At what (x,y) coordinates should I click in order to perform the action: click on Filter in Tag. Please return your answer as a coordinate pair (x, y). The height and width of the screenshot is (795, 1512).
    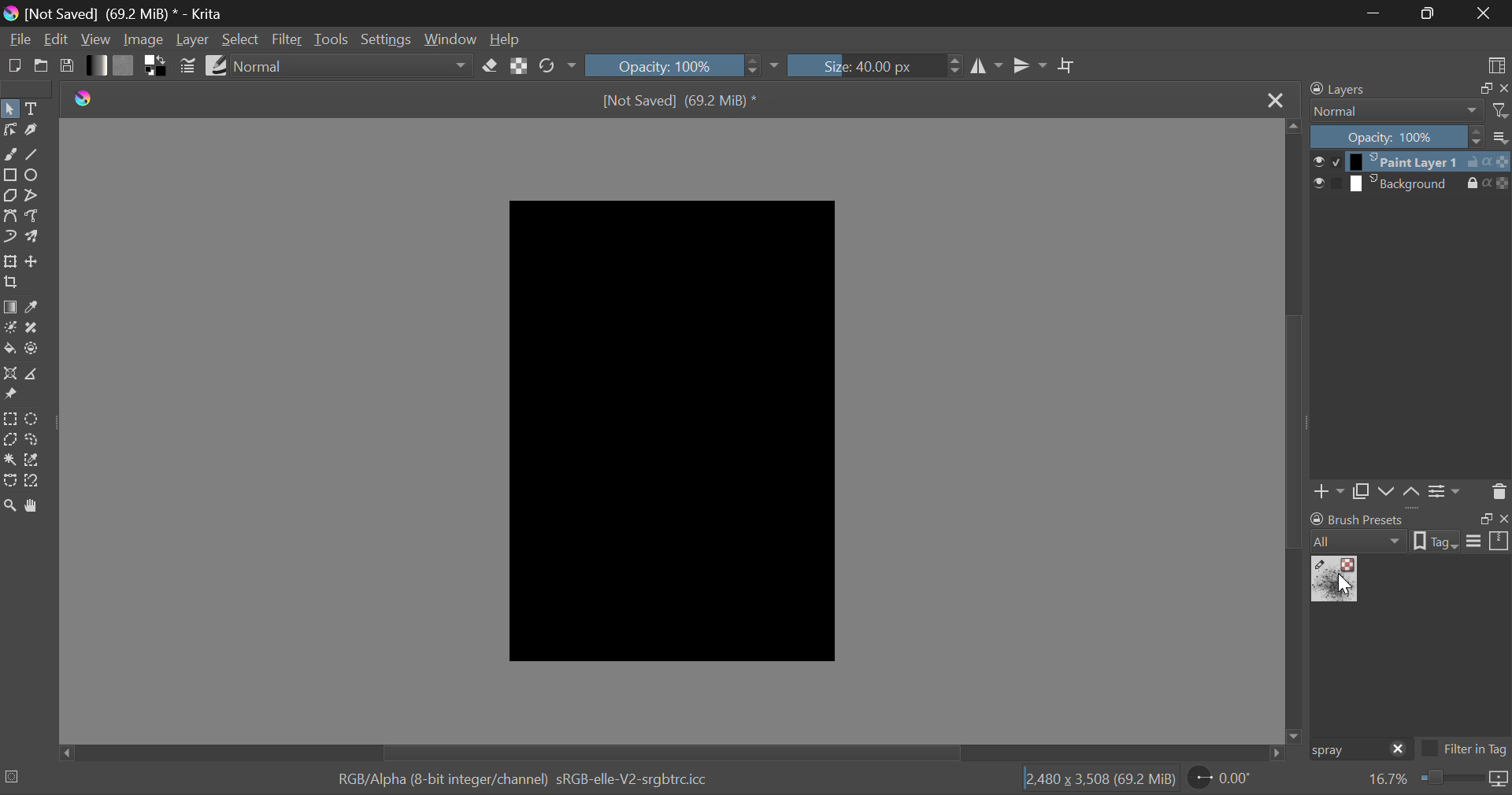
    Looking at the image, I should click on (1465, 751).